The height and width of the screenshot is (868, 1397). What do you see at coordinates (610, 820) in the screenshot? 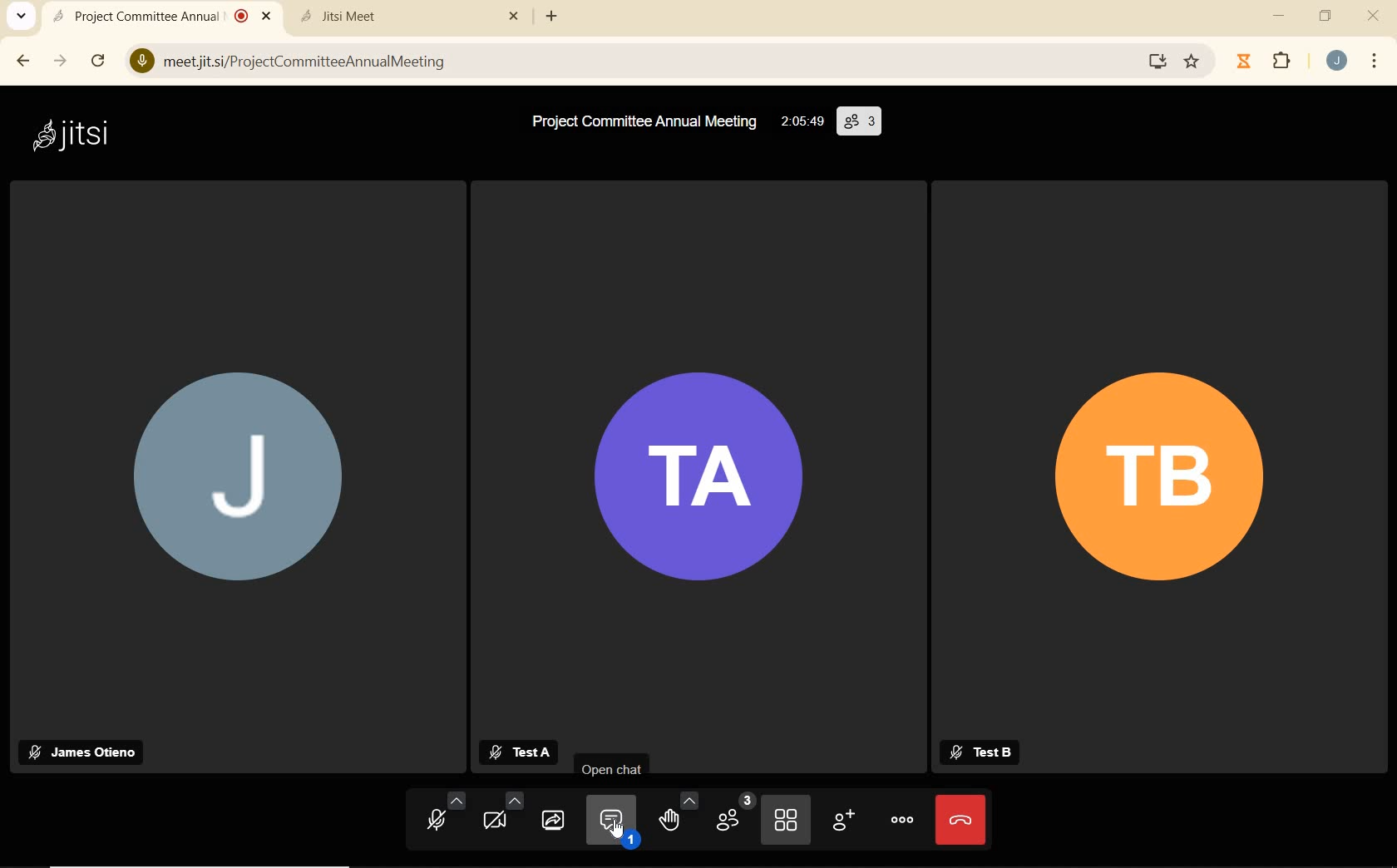
I see `open chat` at bounding box center [610, 820].